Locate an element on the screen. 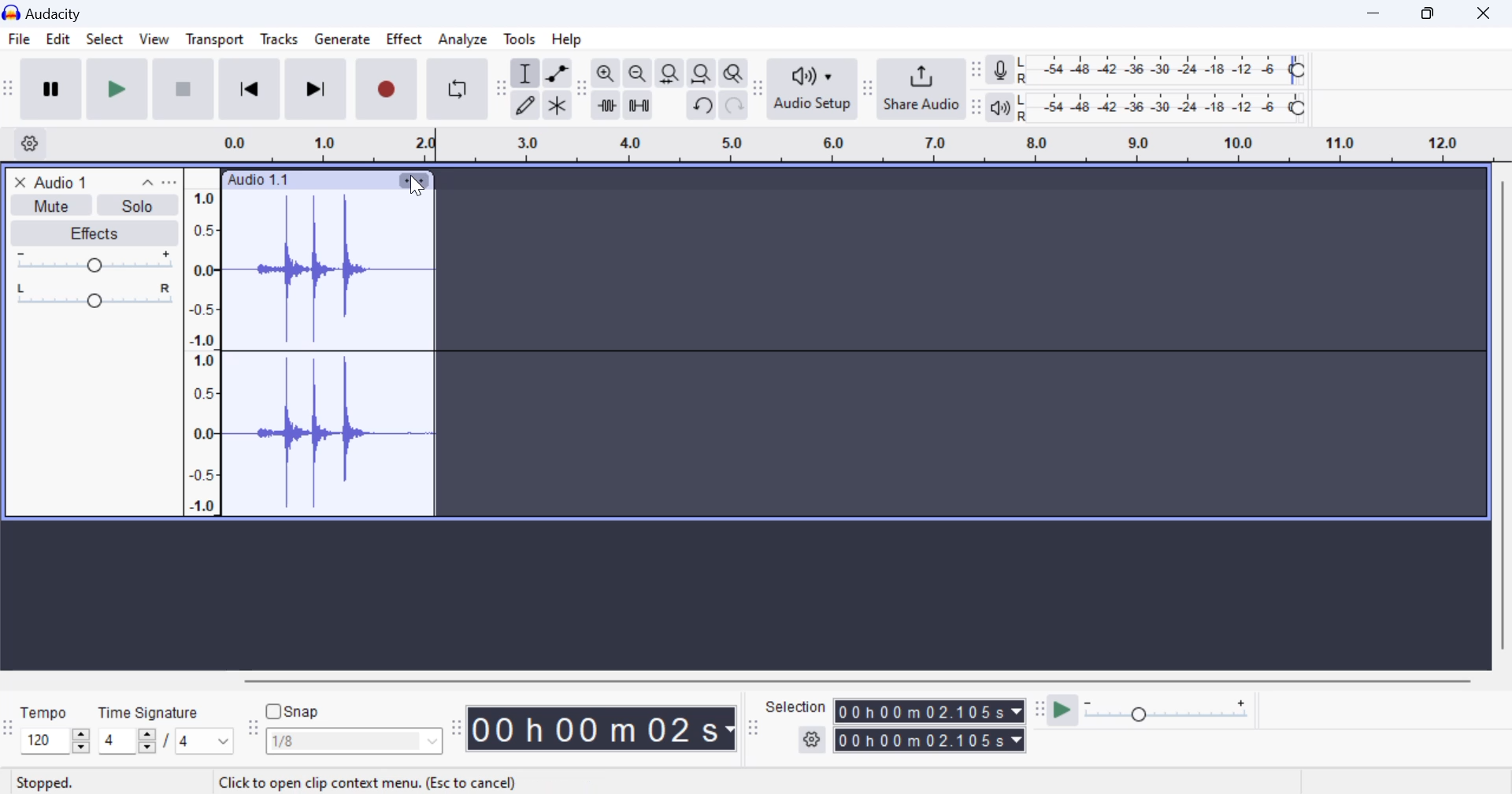  undo is located at coordinates (703, 106).